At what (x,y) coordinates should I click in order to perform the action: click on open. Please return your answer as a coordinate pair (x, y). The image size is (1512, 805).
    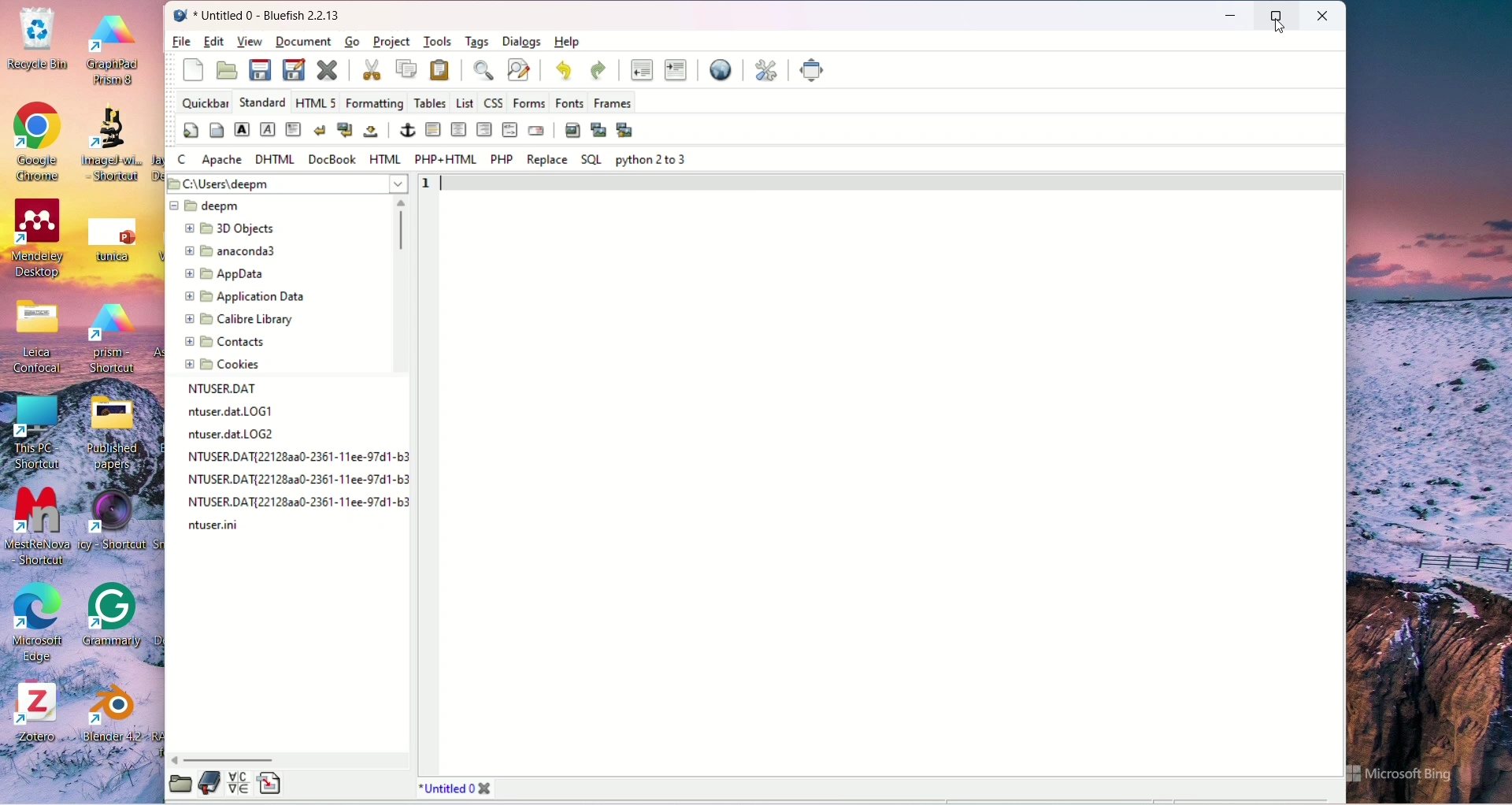
    Looking at the image, I should click on (228, 70).